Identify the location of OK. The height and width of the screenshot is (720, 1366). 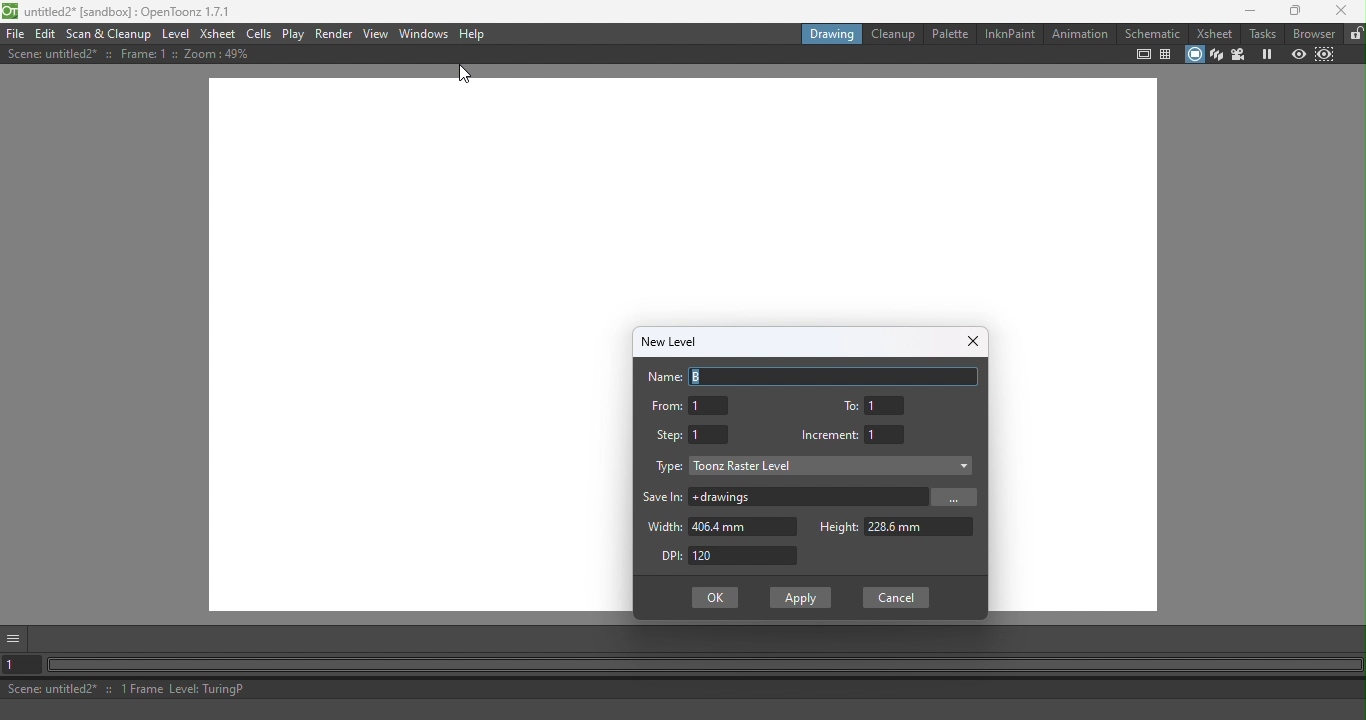
(716, 598).